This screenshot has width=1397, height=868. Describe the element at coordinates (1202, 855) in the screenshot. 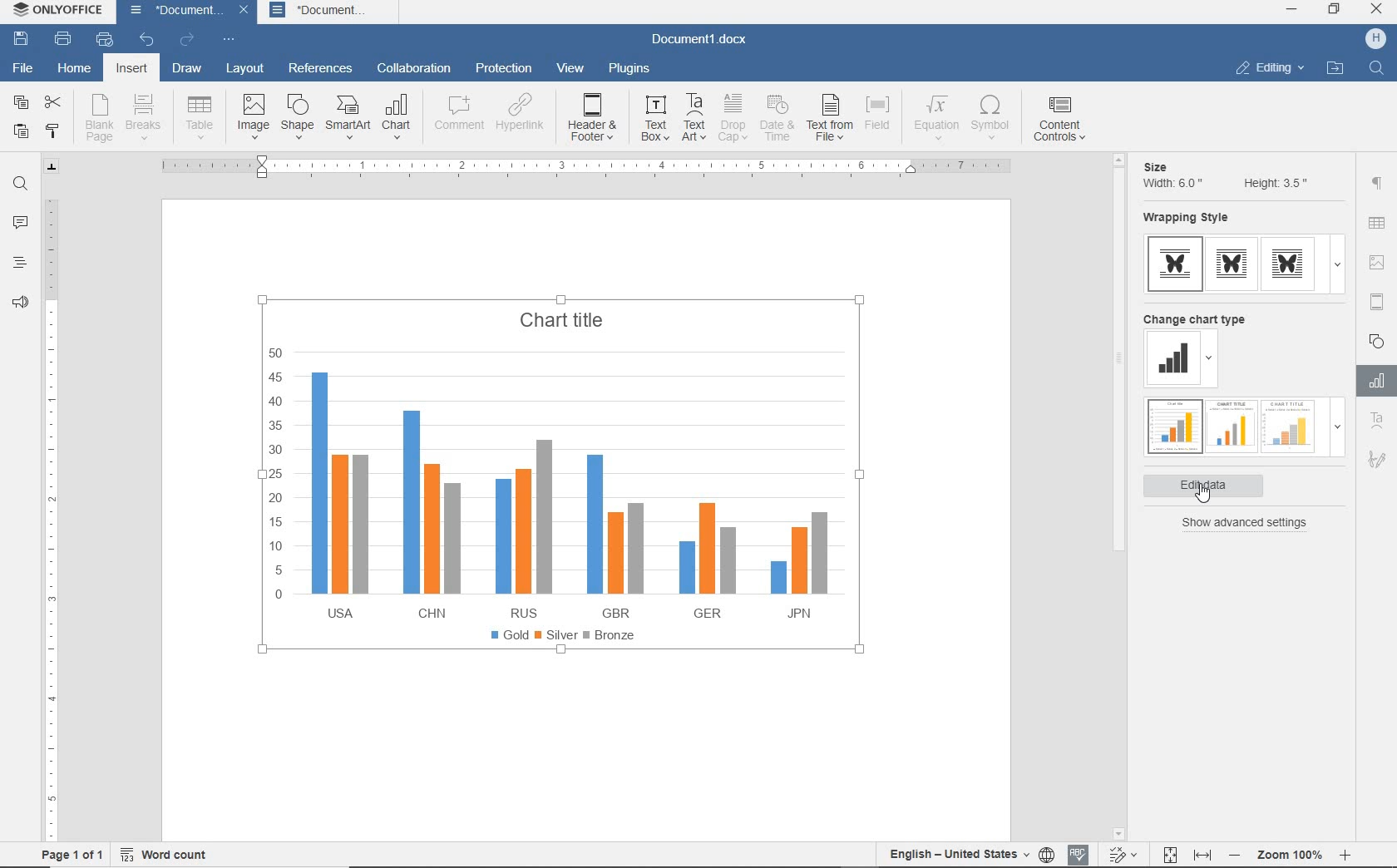

I see `fit to width` at that location.